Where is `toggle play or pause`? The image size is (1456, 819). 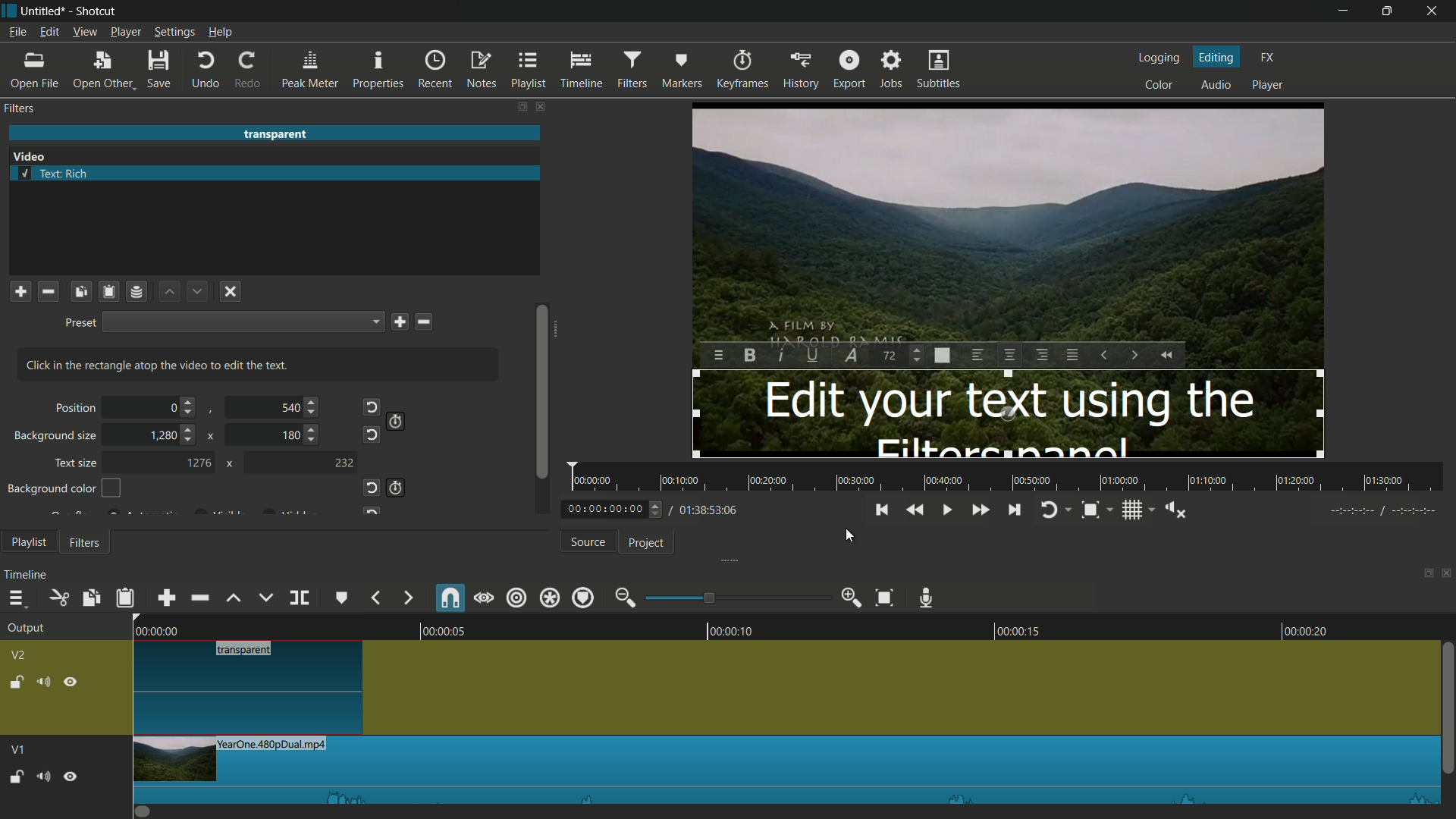
toggle play or pause is located at coordinates (949, 510).